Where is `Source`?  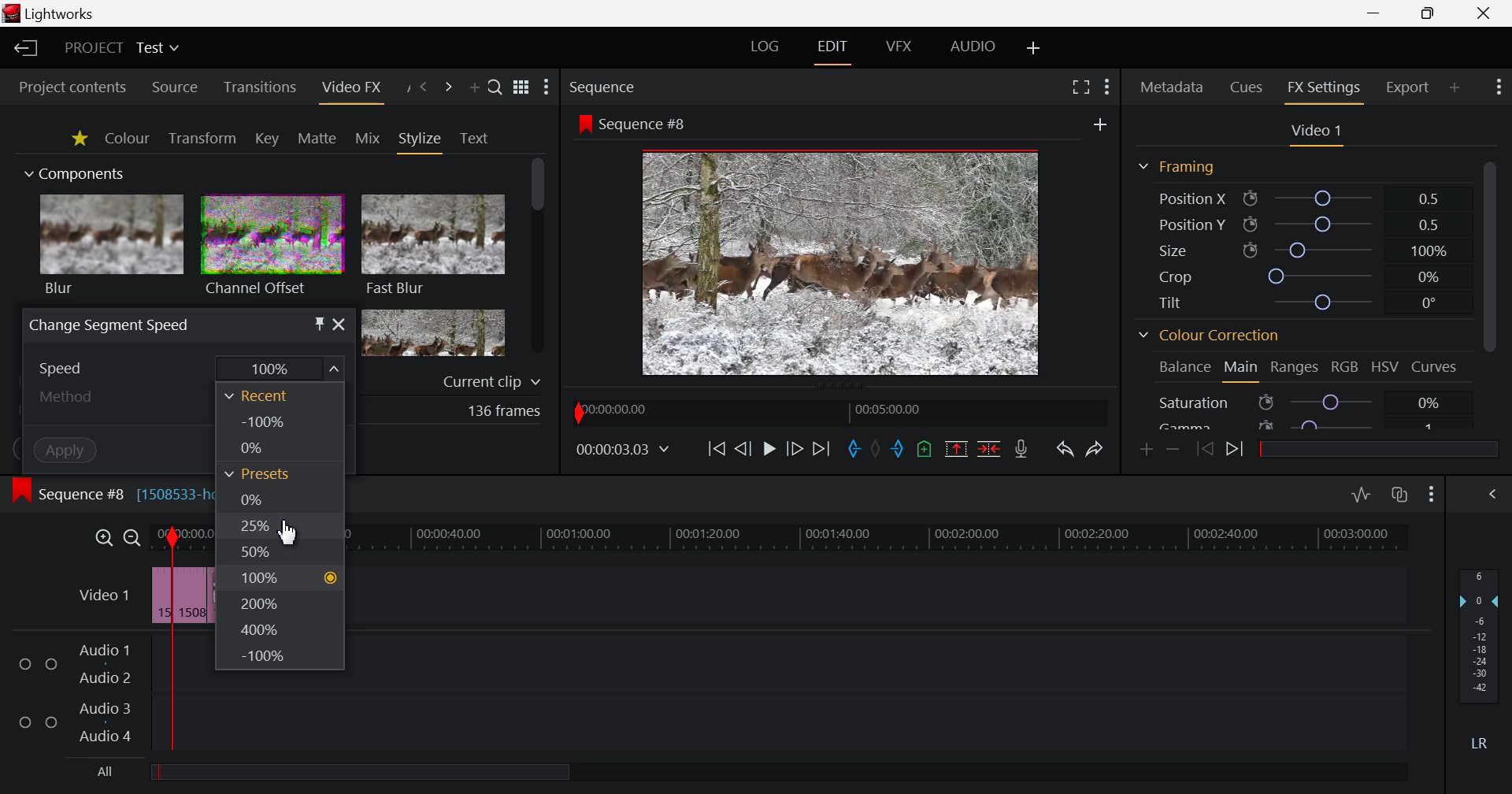
Source is located at coordinates (176, 87).